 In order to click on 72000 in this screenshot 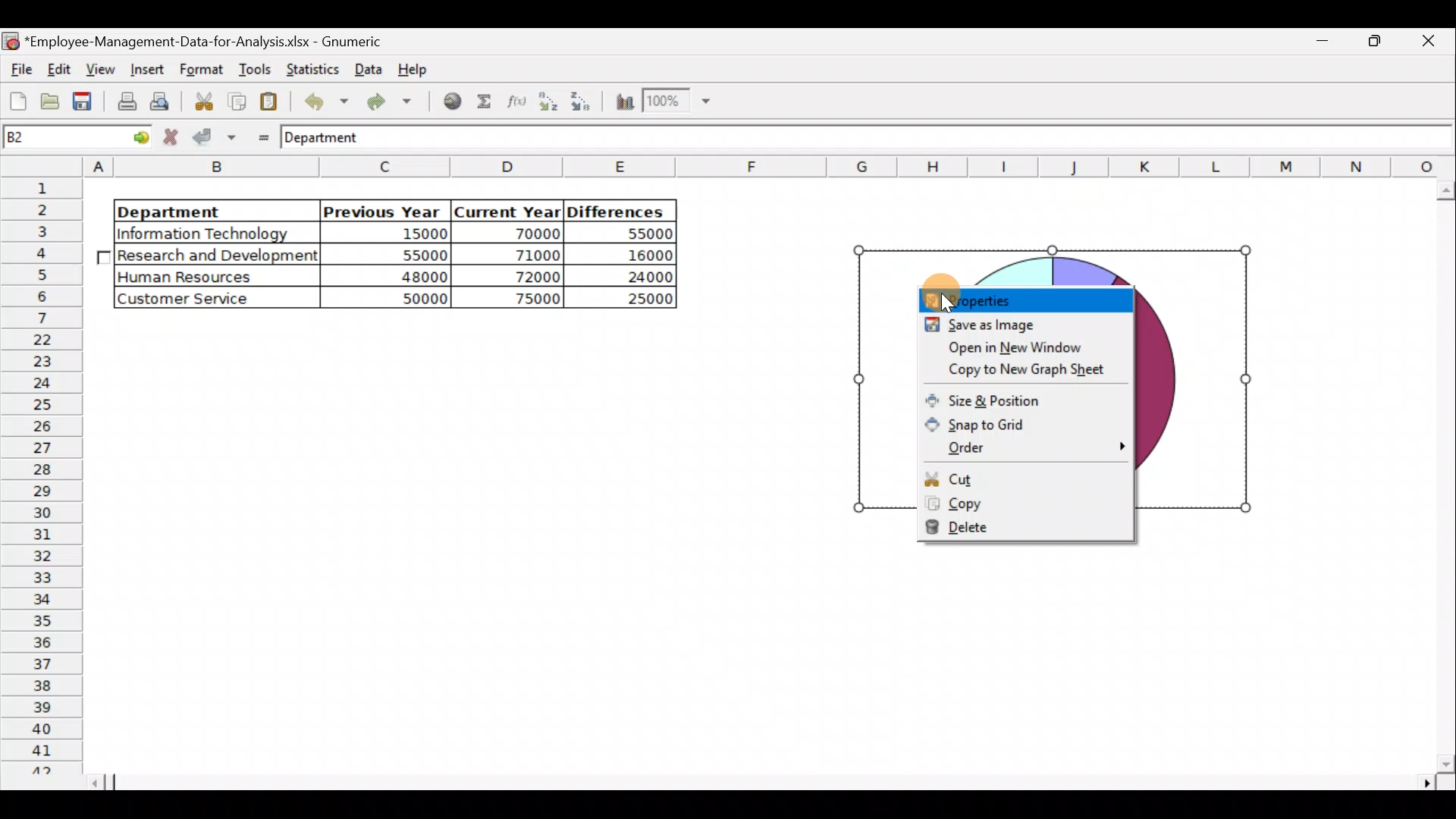, I will do `click(525, 276)`.